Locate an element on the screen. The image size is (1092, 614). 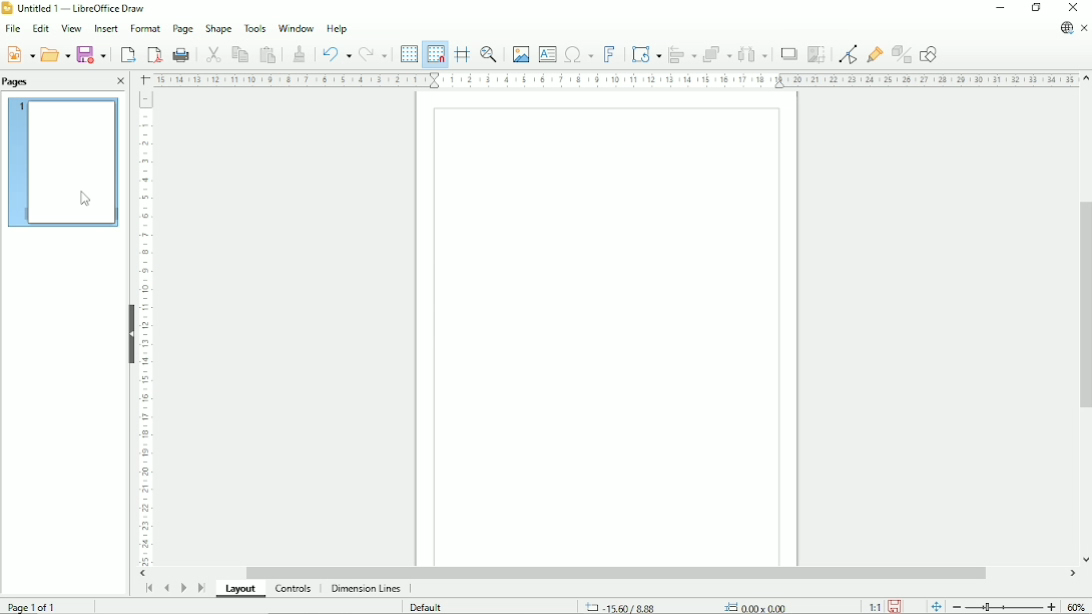
Close document is located at coordinates (1085, 29).